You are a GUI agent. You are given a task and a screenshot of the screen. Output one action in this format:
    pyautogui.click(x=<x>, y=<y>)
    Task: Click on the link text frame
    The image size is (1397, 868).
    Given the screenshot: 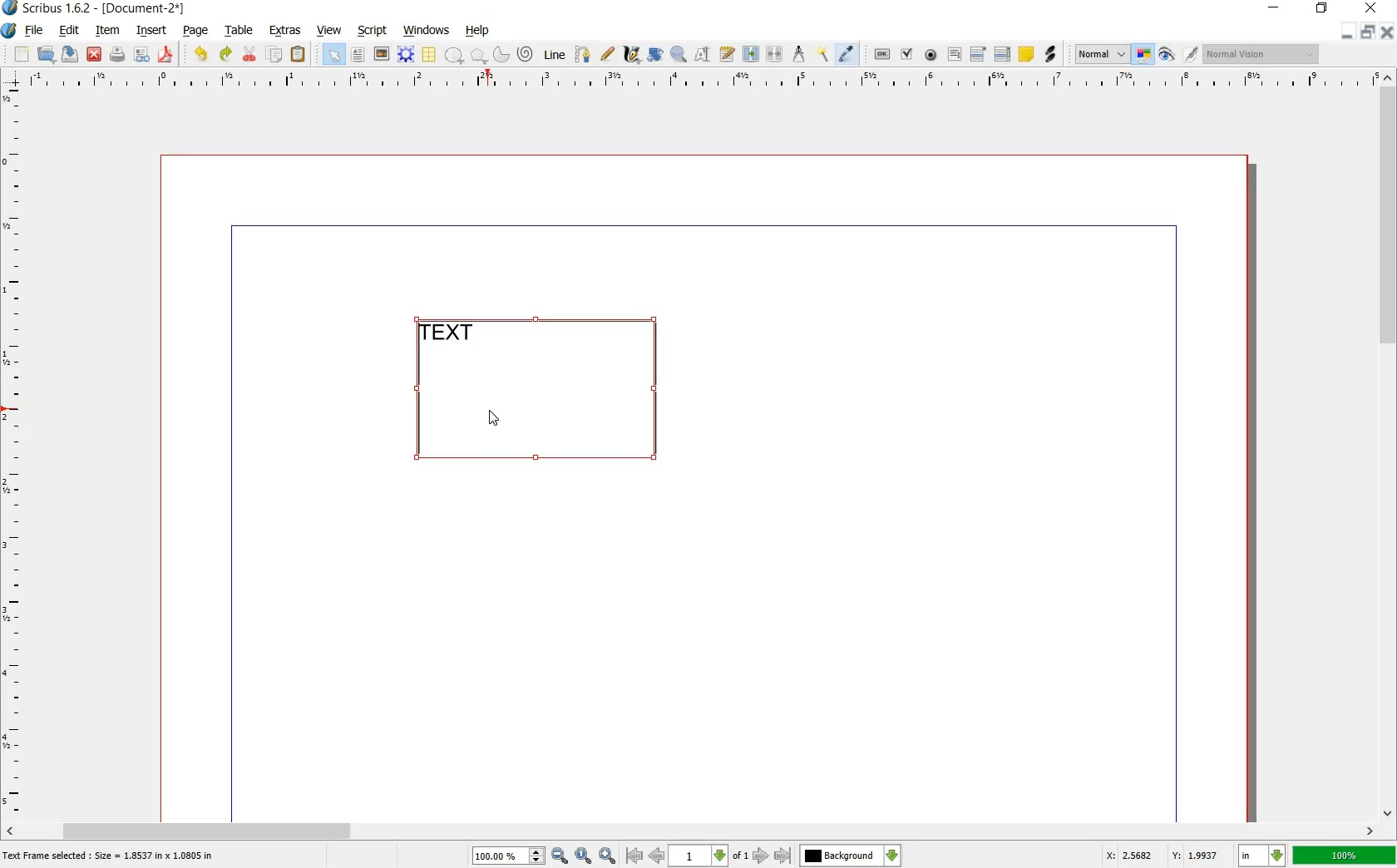 What is the action you would take?
    pyautogui.click(x=750, y=55)
    